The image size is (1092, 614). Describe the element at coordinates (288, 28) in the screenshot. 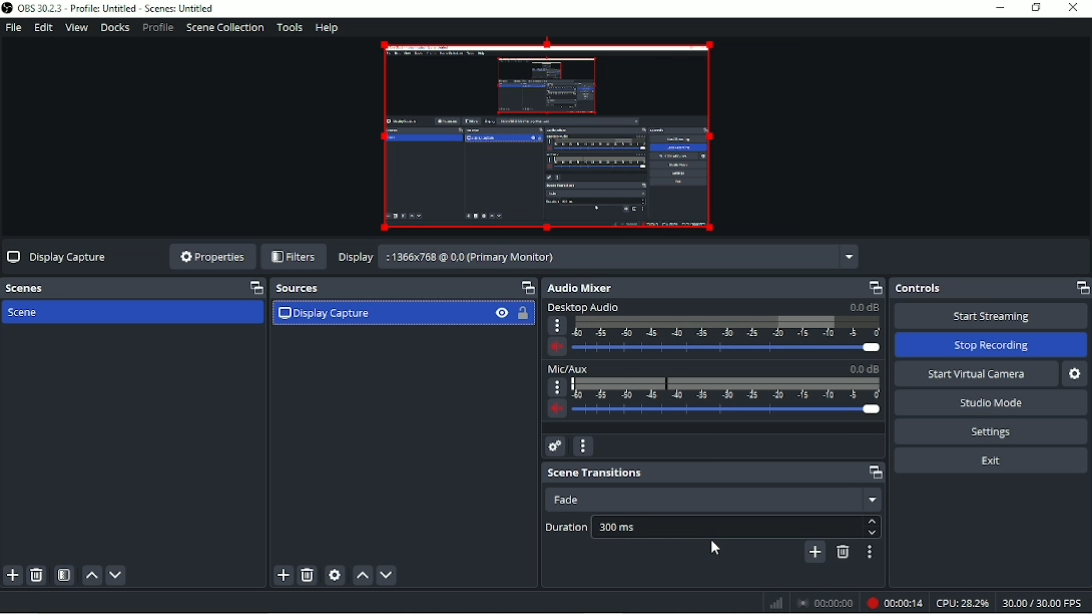

I see `Tools` at that location.